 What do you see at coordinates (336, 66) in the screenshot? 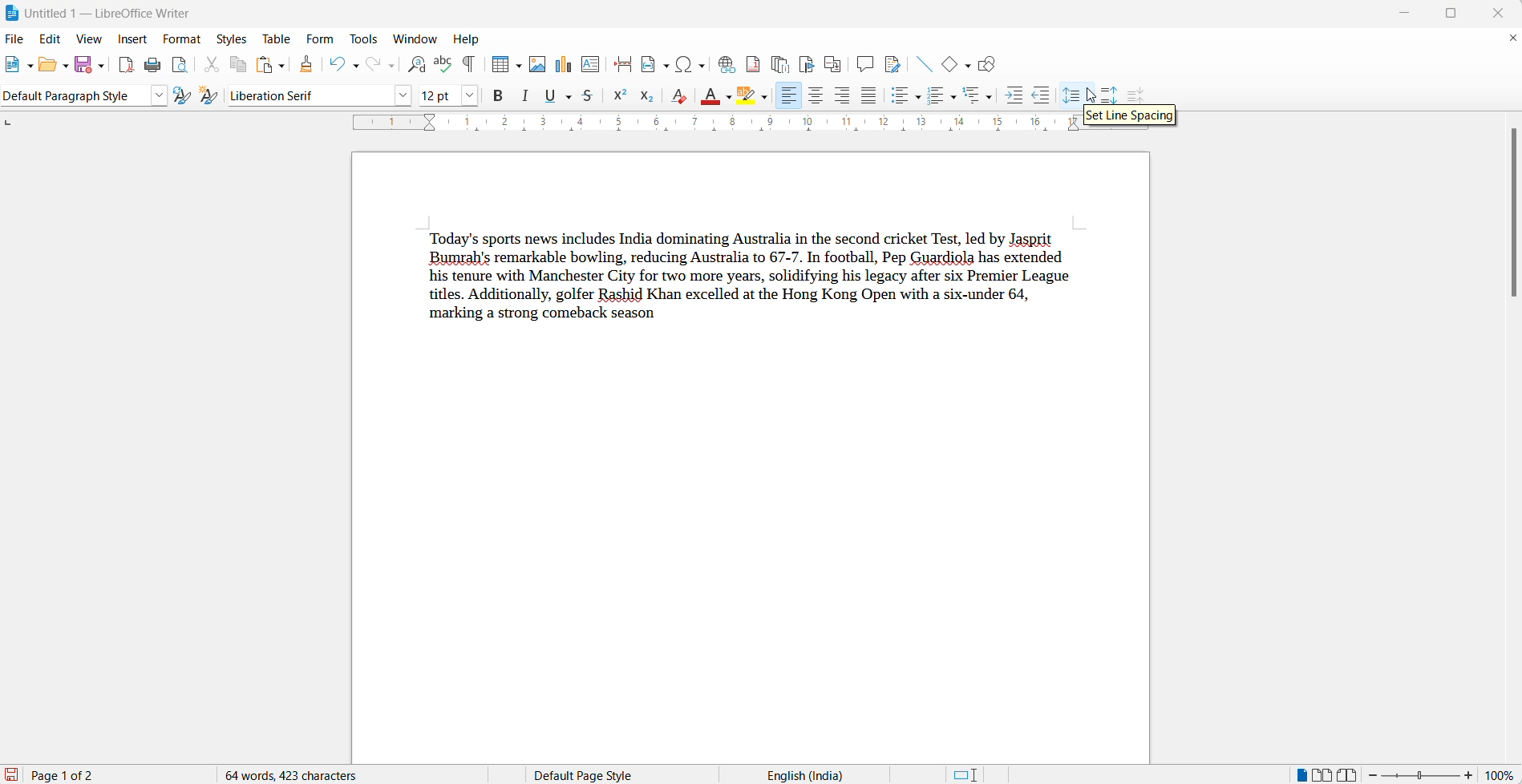
I see `undo` at bounding box center [336, 66].